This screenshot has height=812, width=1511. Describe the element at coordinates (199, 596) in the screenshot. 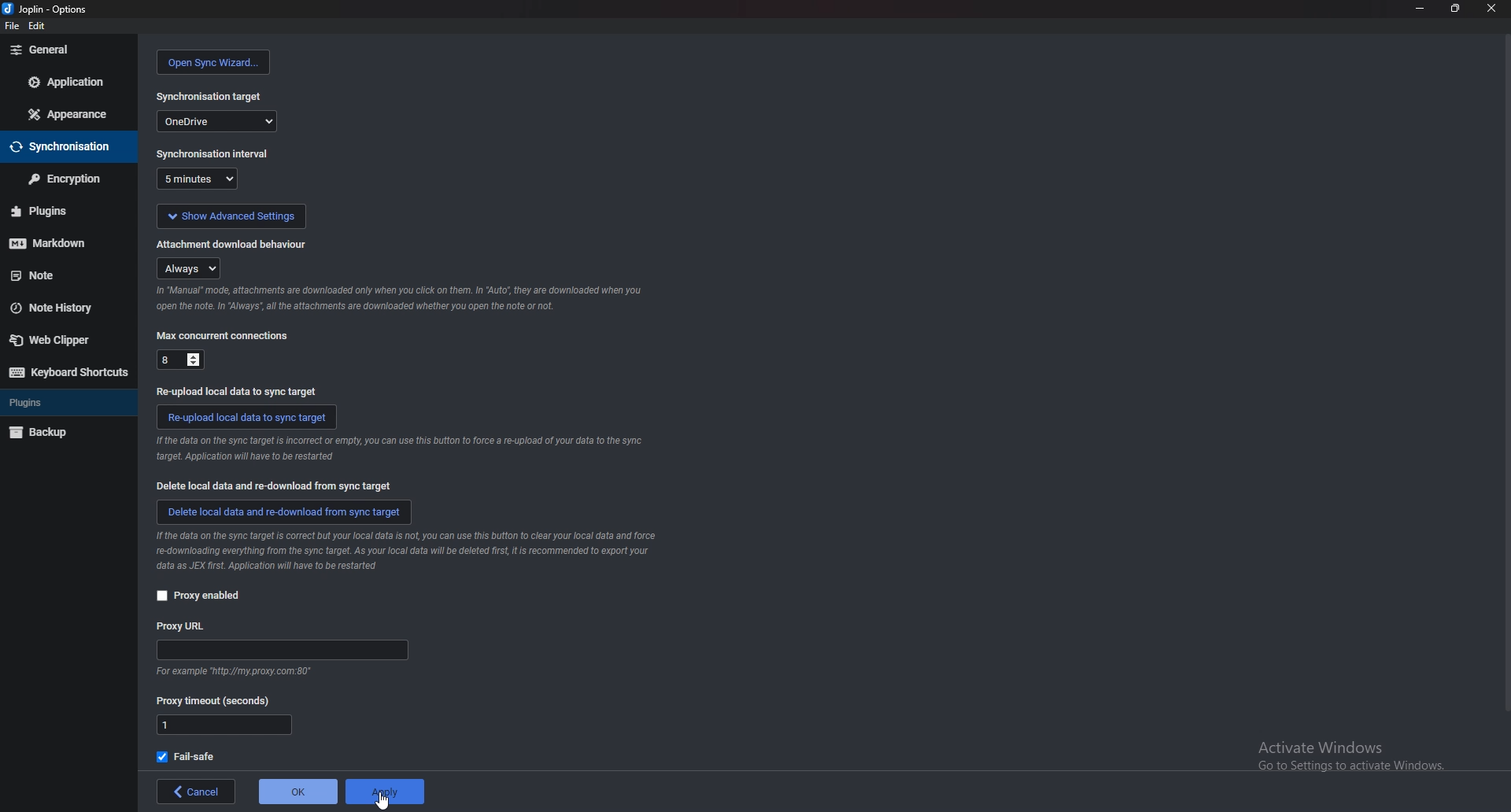

I see `proxy enabled` at that location.